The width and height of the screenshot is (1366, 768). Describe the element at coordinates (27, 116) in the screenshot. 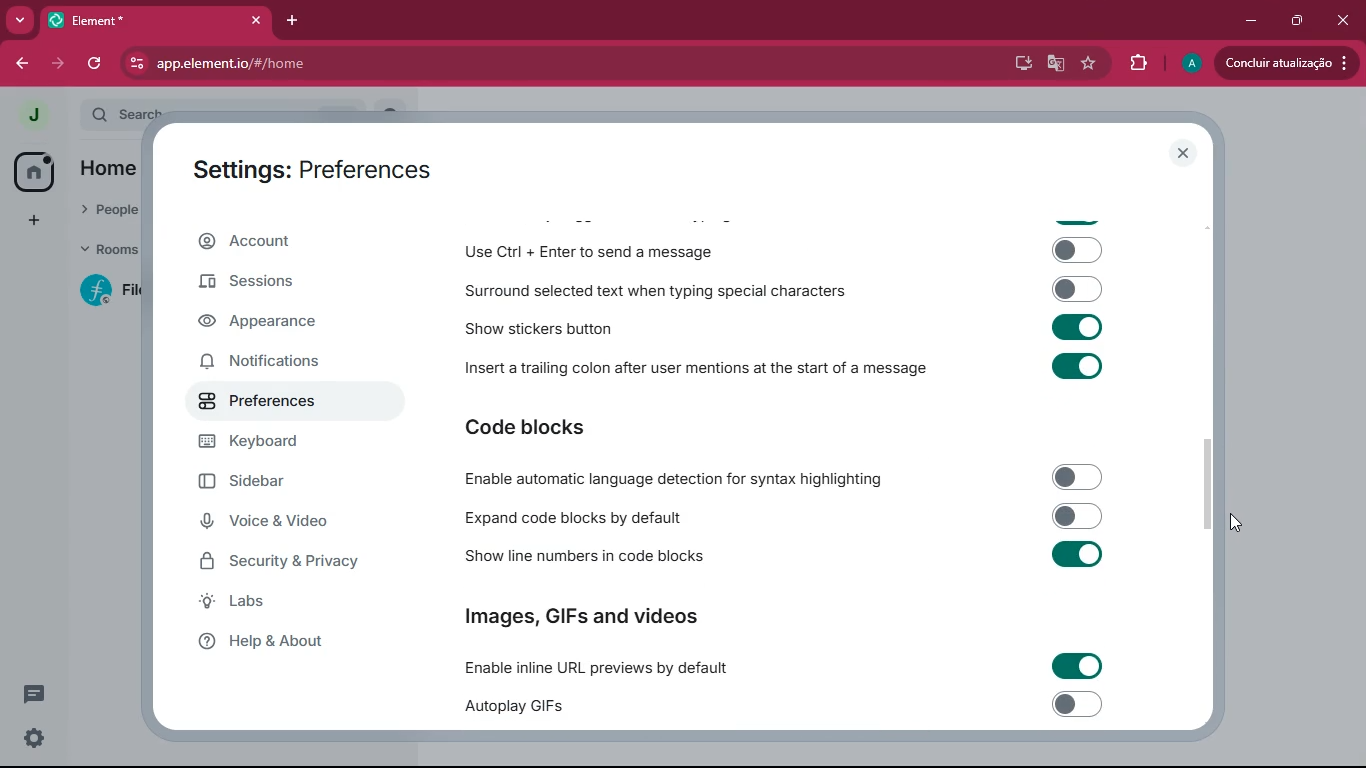

I see `profile picture` at that location.